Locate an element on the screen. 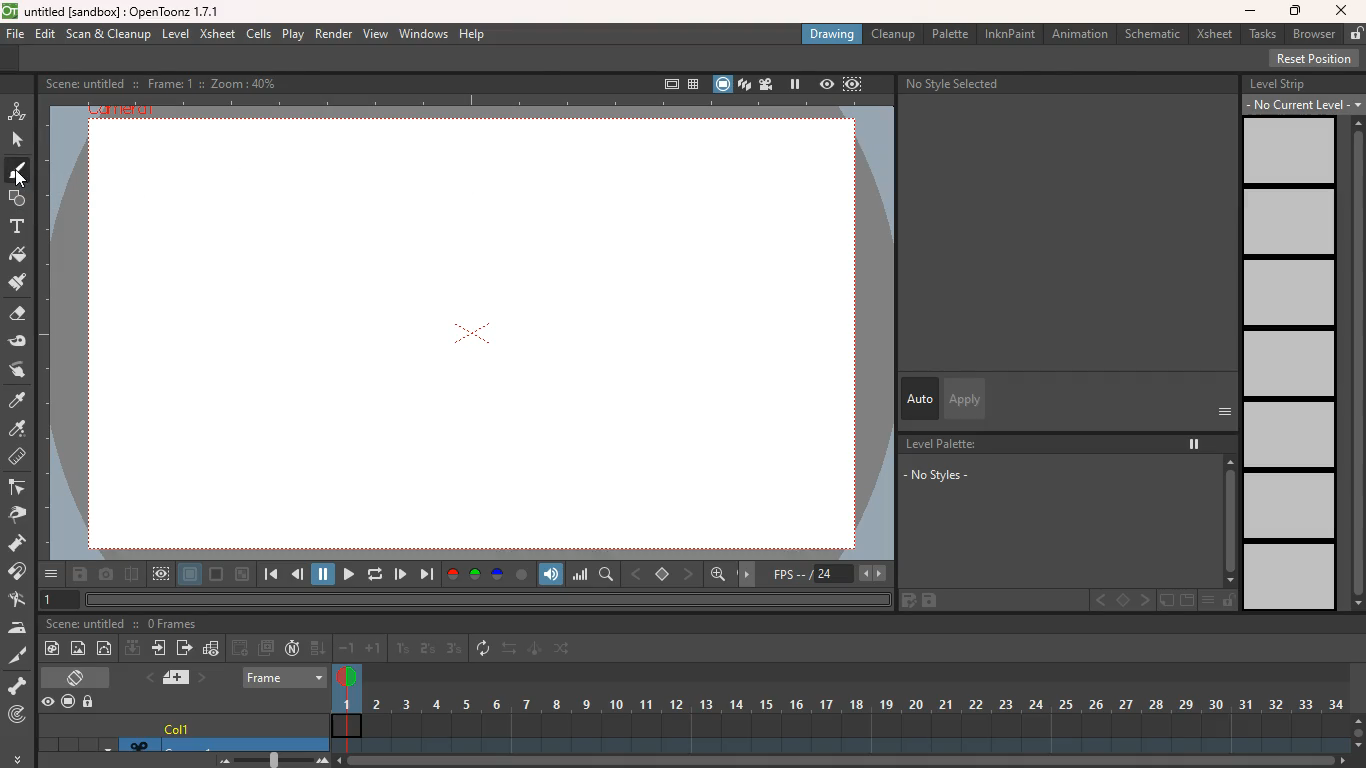 The image size is (1366, 768). tap is located at coordinates (20, 601).